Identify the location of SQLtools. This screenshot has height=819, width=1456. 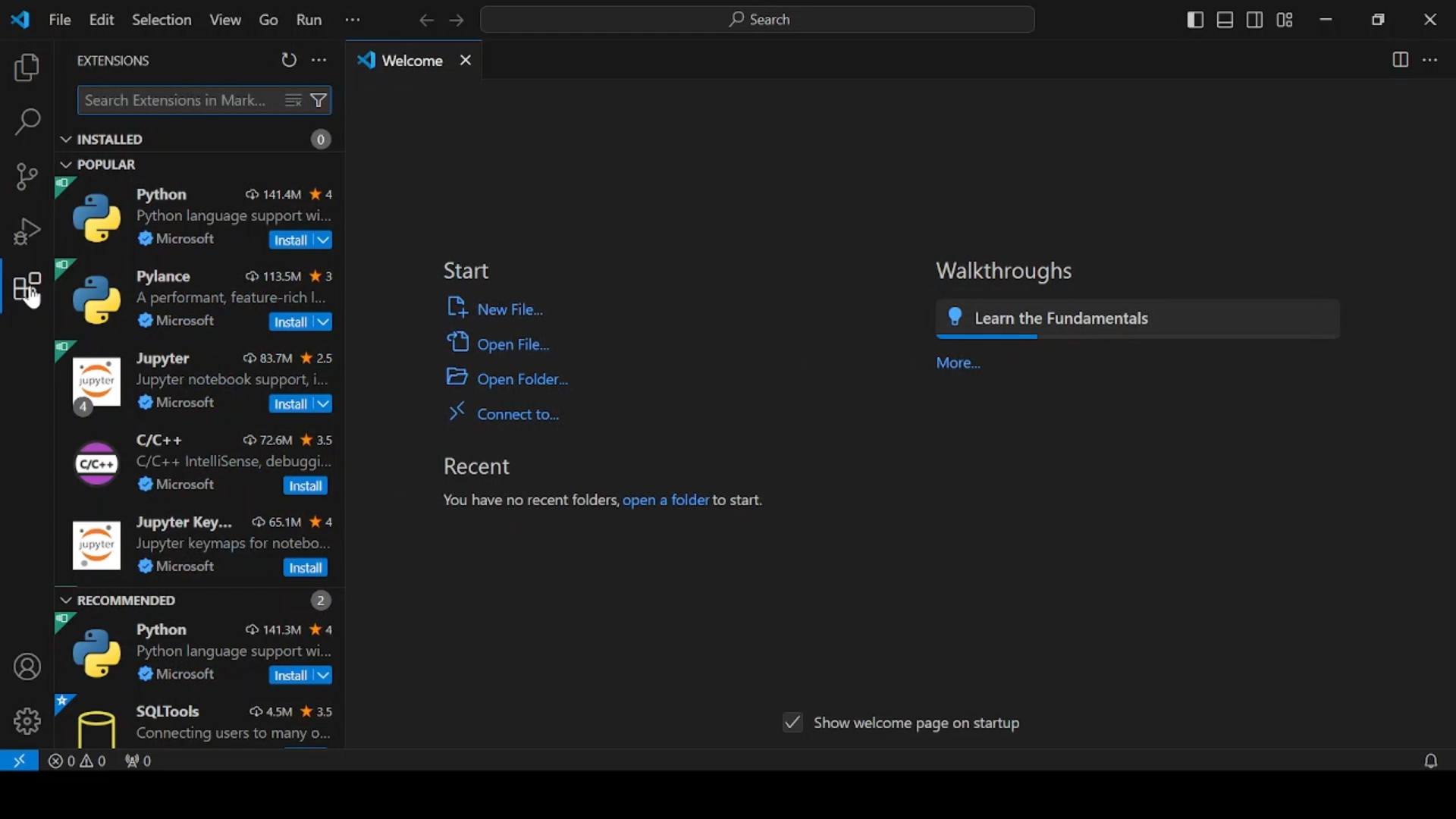
(200, 719).